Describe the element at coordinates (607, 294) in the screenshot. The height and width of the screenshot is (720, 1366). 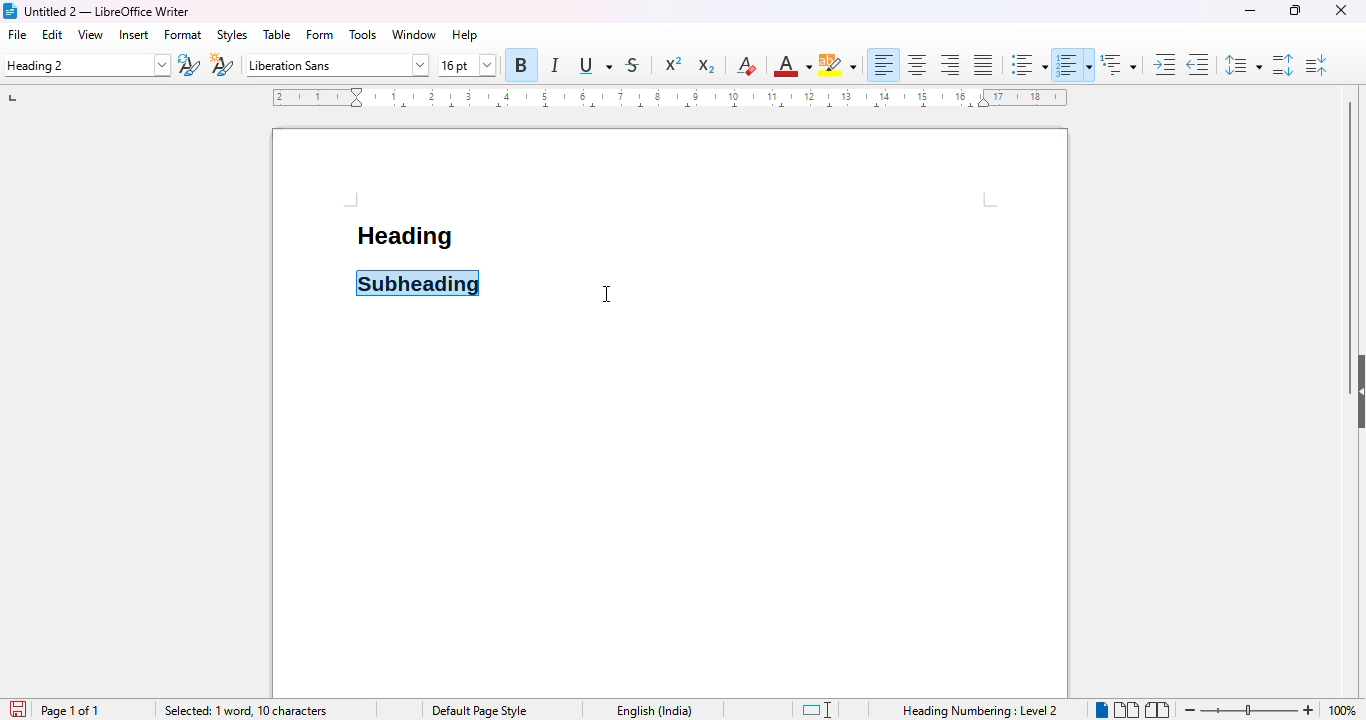
I see `cursor` at that location.